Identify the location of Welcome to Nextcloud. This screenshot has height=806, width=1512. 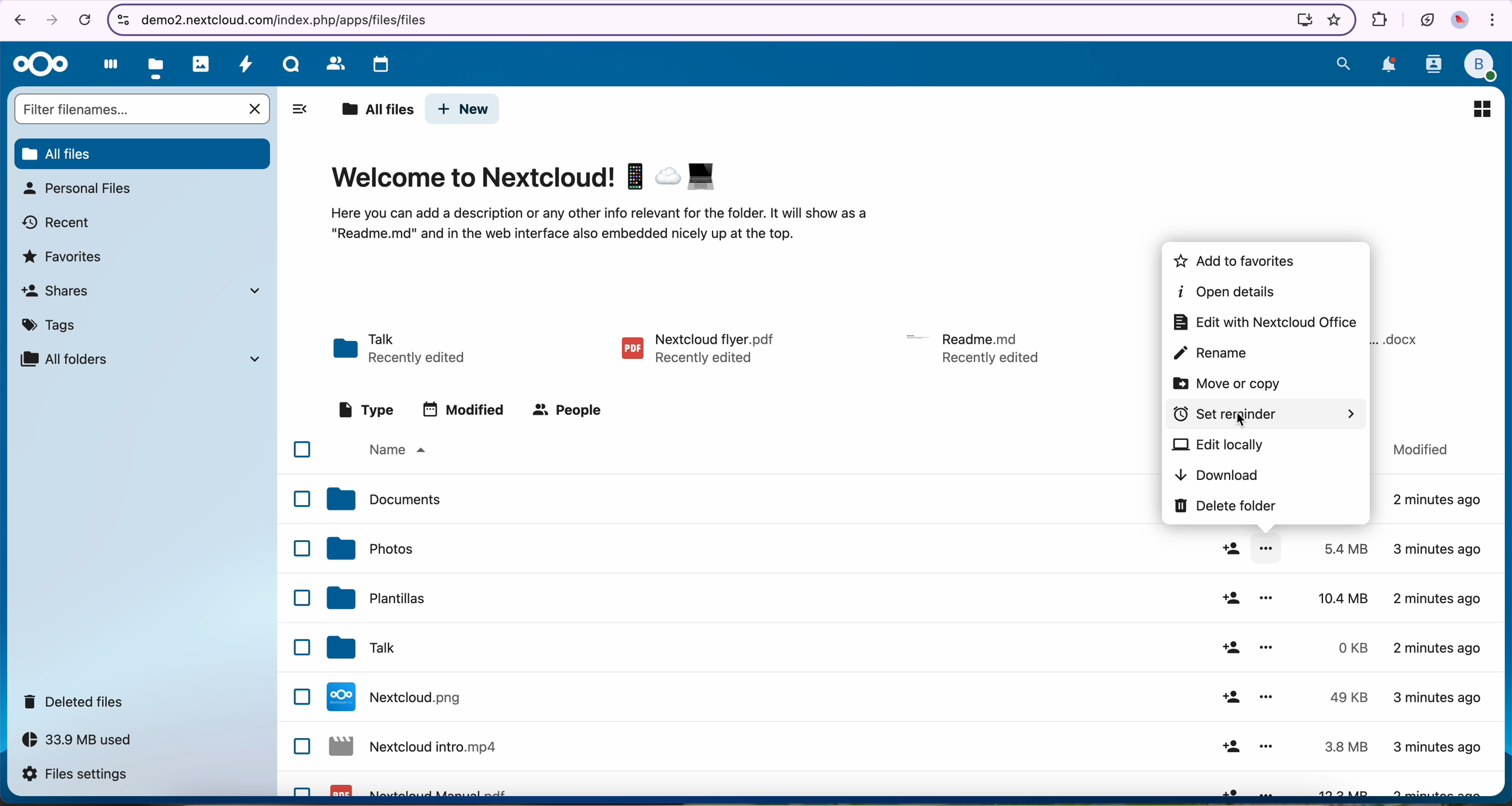
(526, 177).